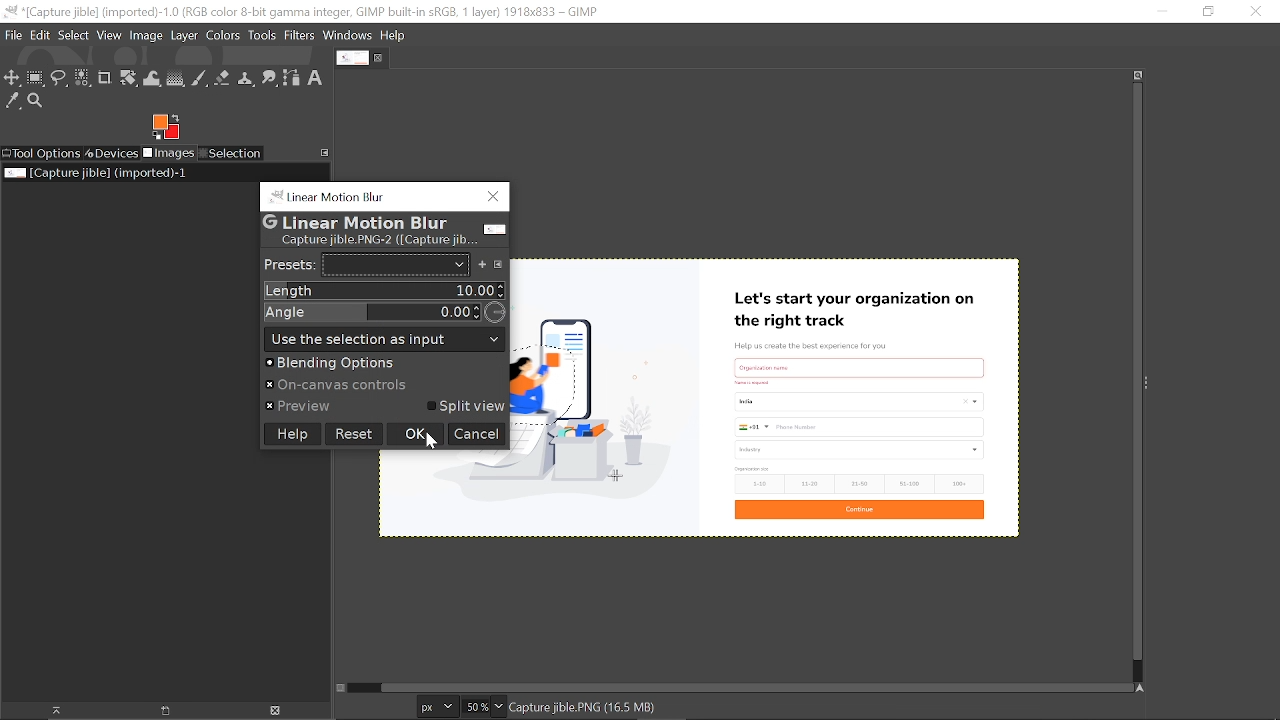 The image size is (1280, 720). I want to click on restore down, so click(1207, 11).